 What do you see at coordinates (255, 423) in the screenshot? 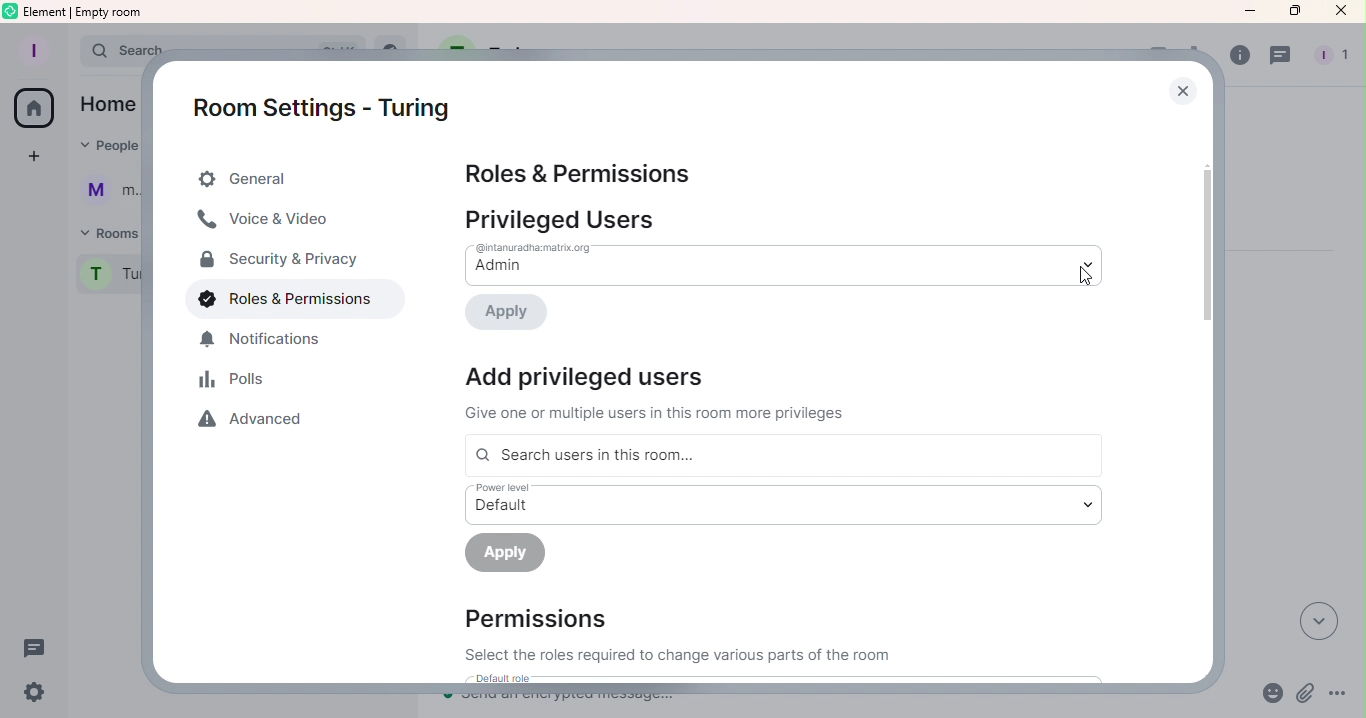
I see `Advanced` at bounding box center [255, 423].